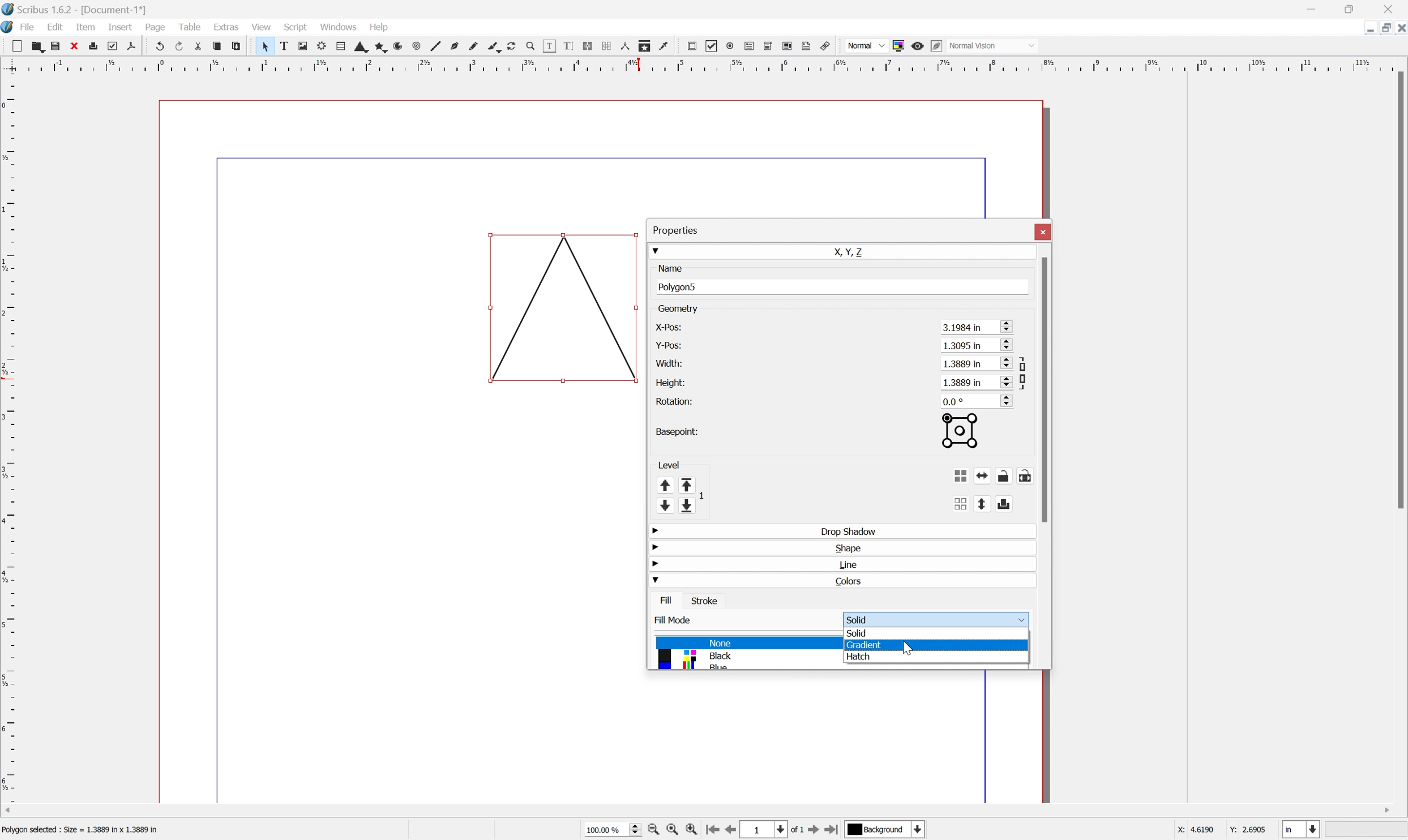  I want to click on 100.00 %, so click(606, 830).